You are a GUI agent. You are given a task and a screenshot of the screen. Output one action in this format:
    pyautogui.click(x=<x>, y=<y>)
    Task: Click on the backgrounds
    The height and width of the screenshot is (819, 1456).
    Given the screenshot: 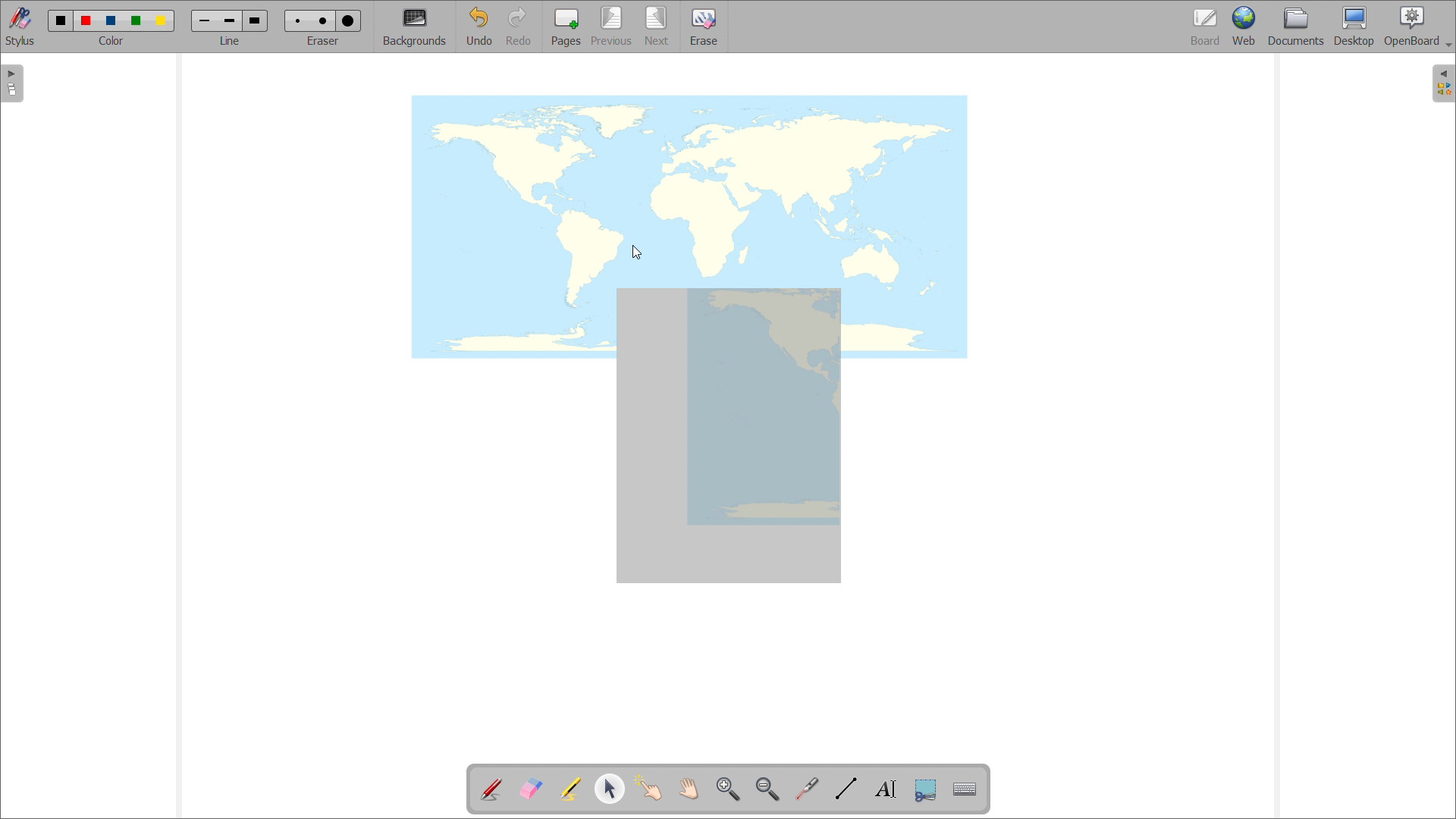 What is the action you would take?
    pyautogui.click(x=415, y=27)
    